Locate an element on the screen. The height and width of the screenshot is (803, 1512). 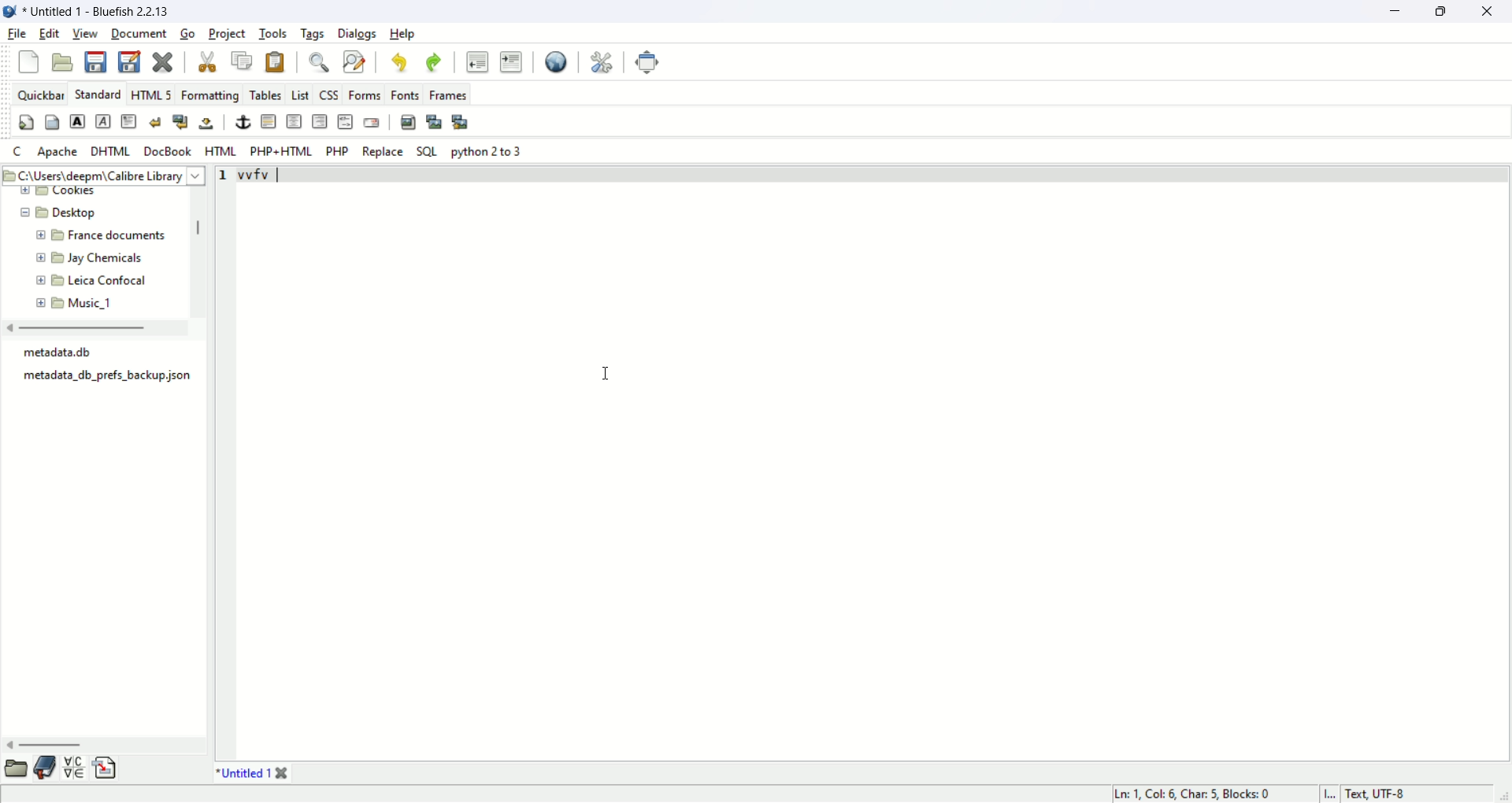
Untitled 1 is located at coordinates (244, 775).